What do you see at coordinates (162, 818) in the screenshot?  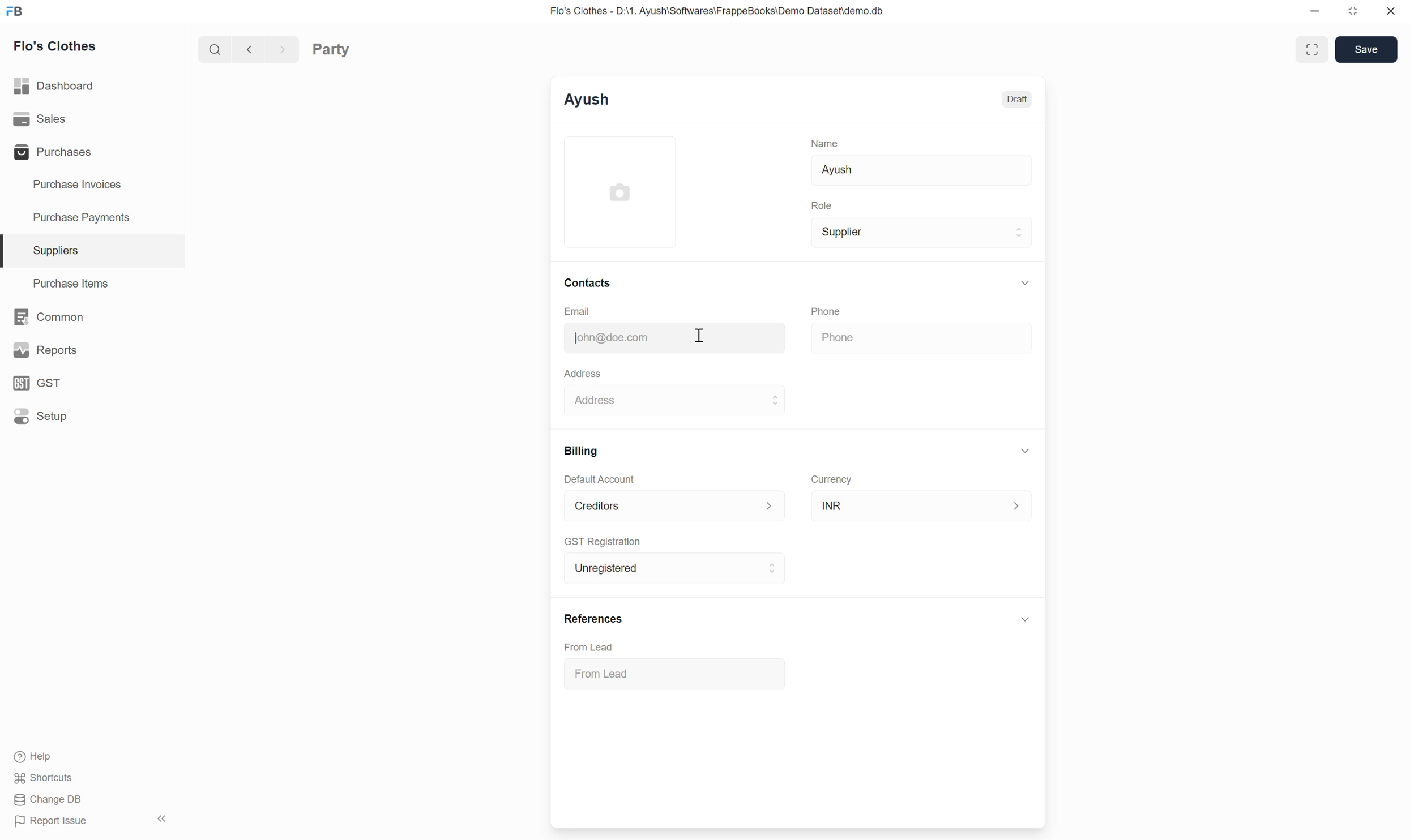 I see `Collapse sidebar` at bounding box center [162, 818].